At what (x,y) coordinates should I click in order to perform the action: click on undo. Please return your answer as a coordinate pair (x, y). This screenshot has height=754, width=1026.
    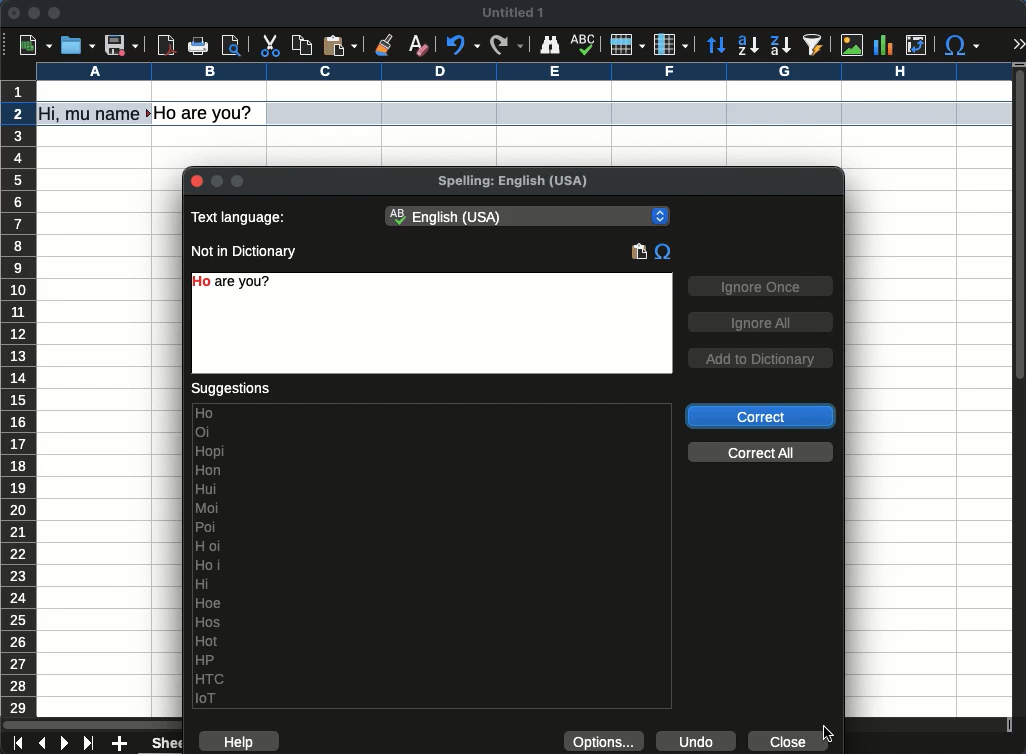
    Looking at the image, I should click on (696, 741).